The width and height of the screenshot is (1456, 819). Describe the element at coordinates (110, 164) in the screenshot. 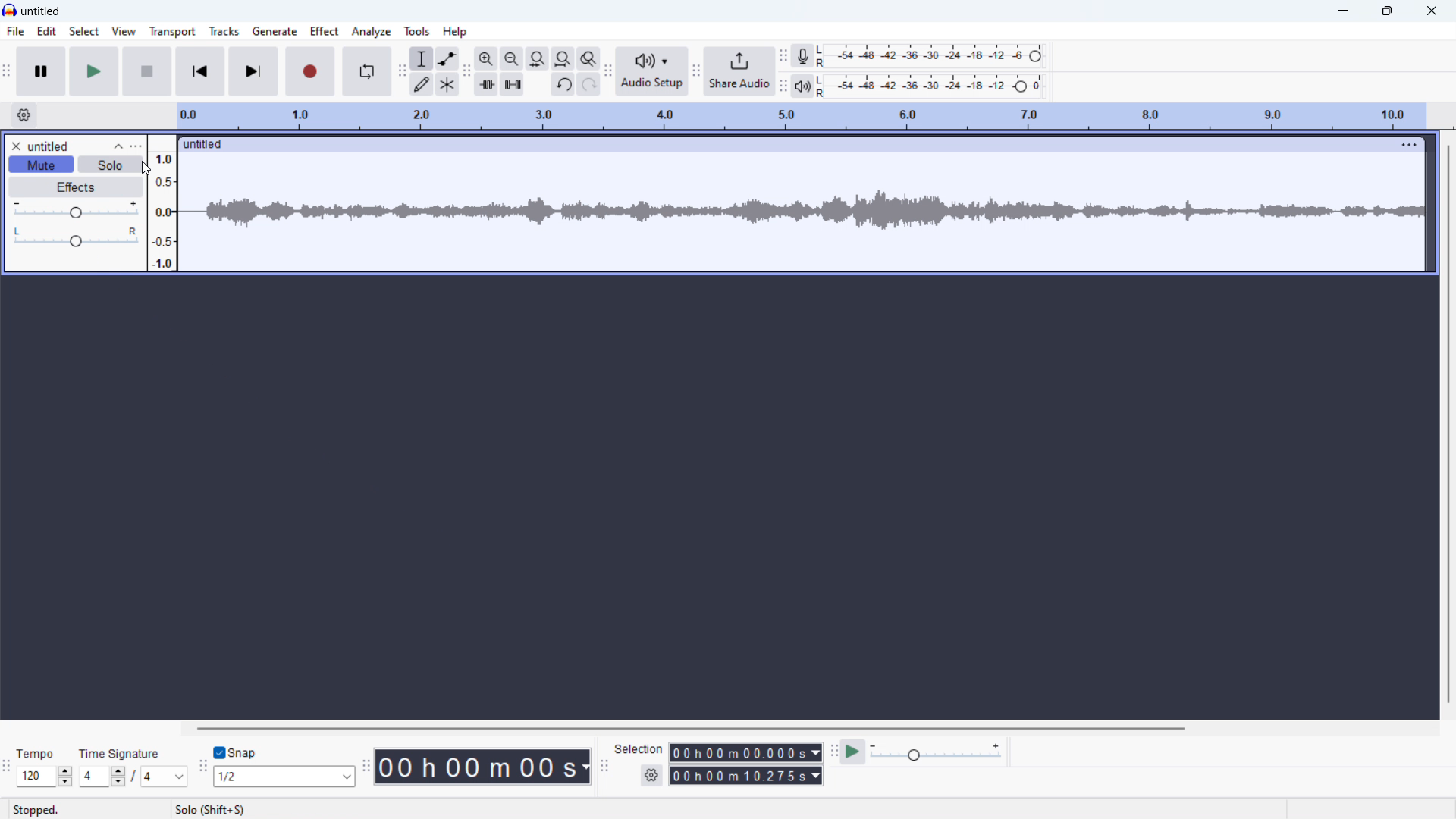

I see `solo` at that location.